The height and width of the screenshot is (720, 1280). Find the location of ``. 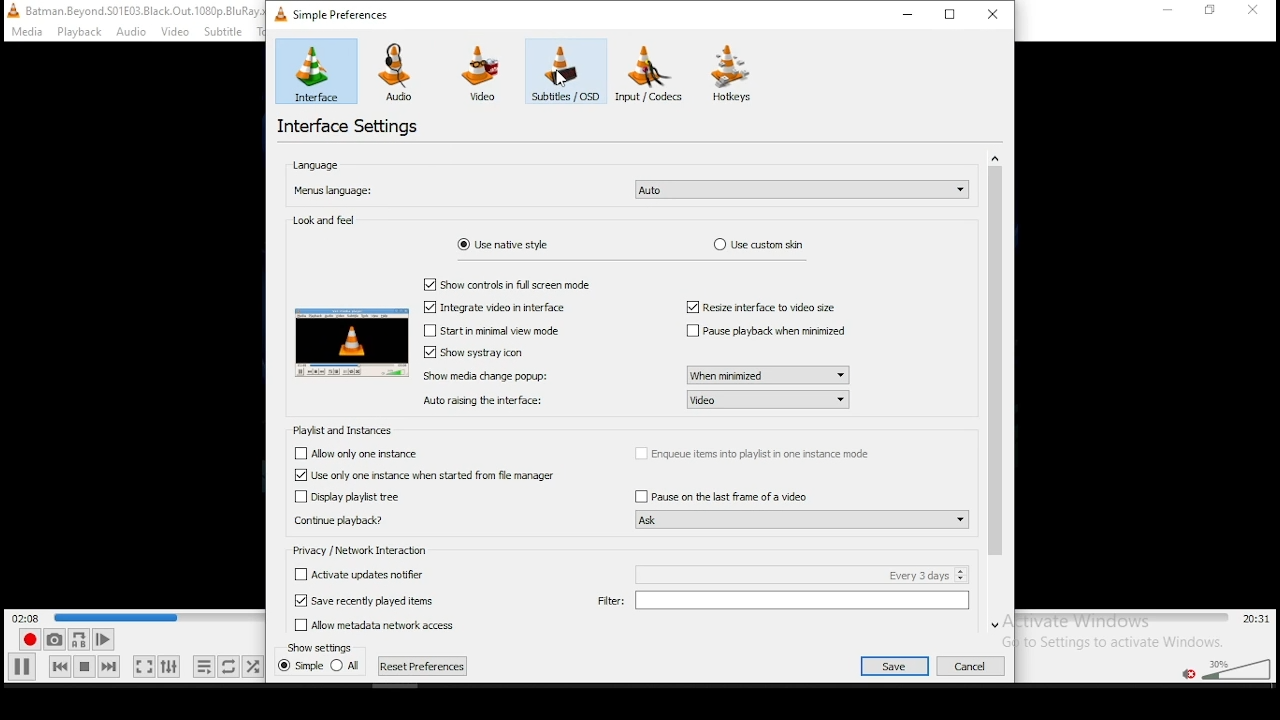

 is located at coordinates (783, 603).